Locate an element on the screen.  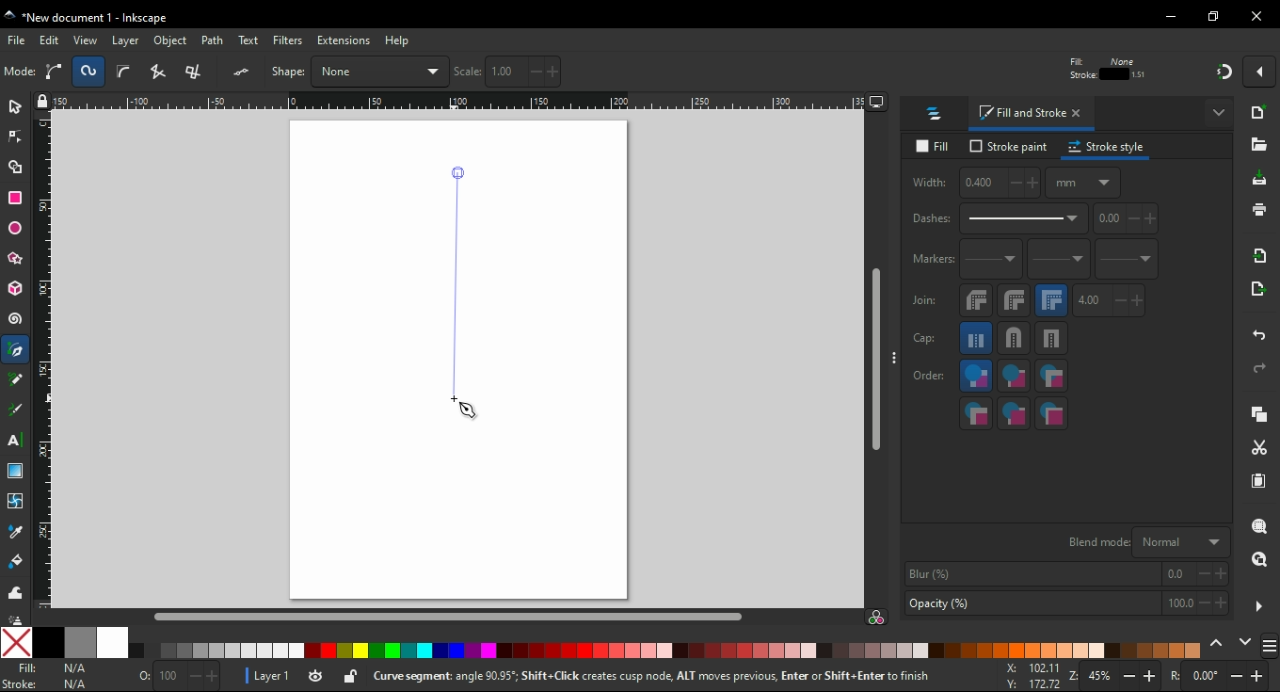
zoom in/zoom out is located at coordinates (1116, 678).